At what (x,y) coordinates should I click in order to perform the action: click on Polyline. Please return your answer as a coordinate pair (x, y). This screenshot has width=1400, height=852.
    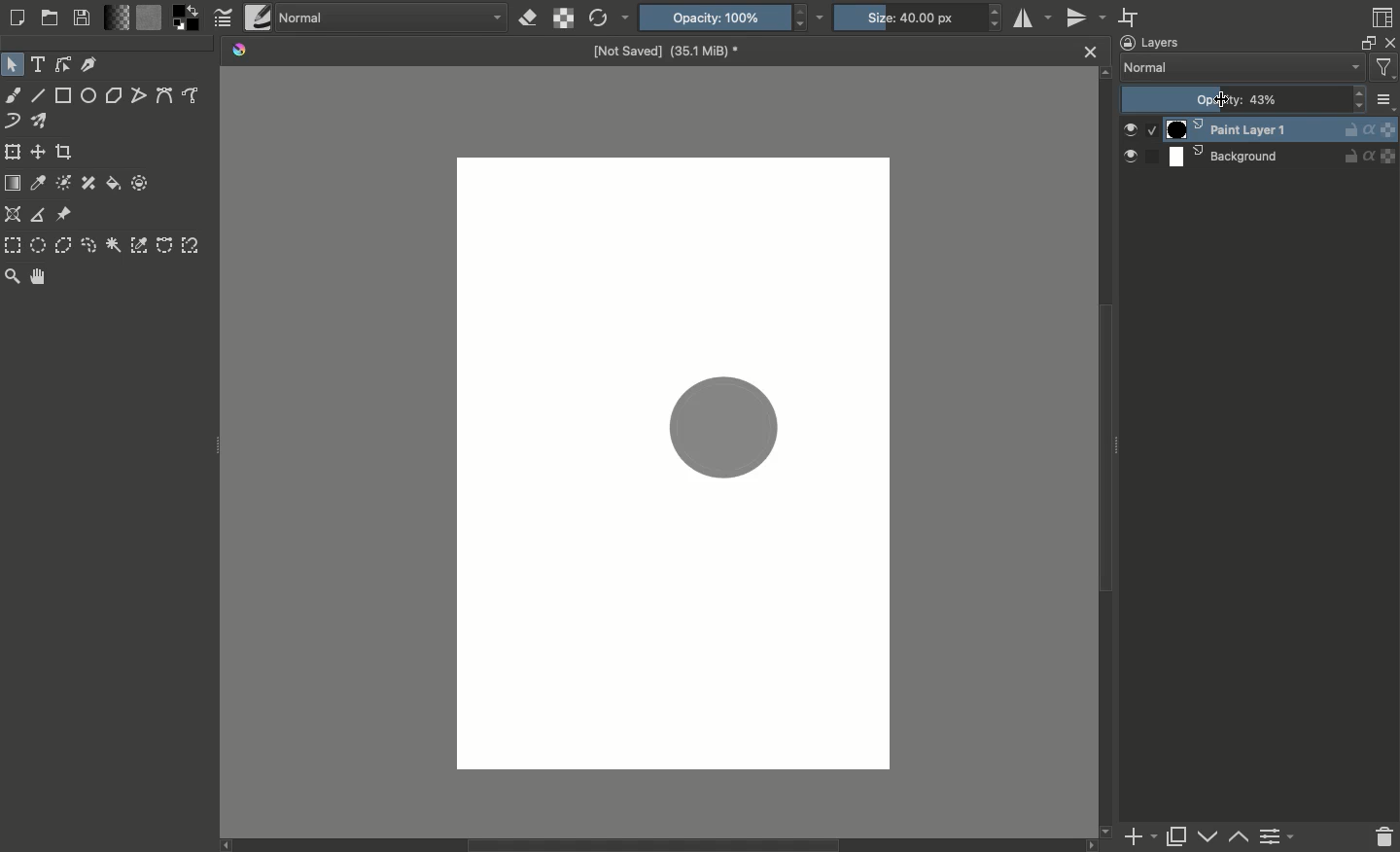
    Looking at the image, I should click on (141, 95).